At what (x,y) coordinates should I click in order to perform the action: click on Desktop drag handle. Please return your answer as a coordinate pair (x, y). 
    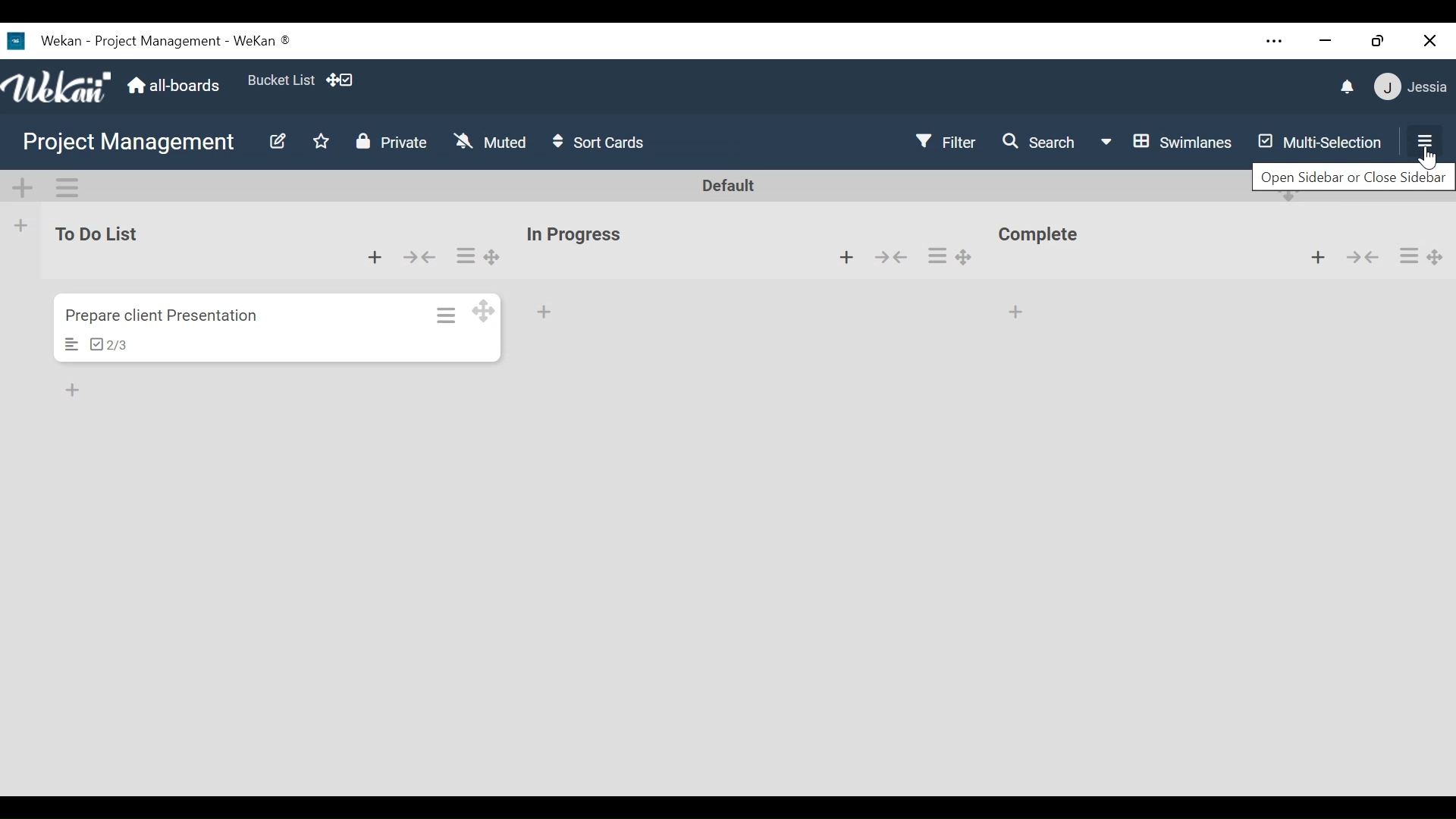
    Looking at the image, I should click on (968, 257).